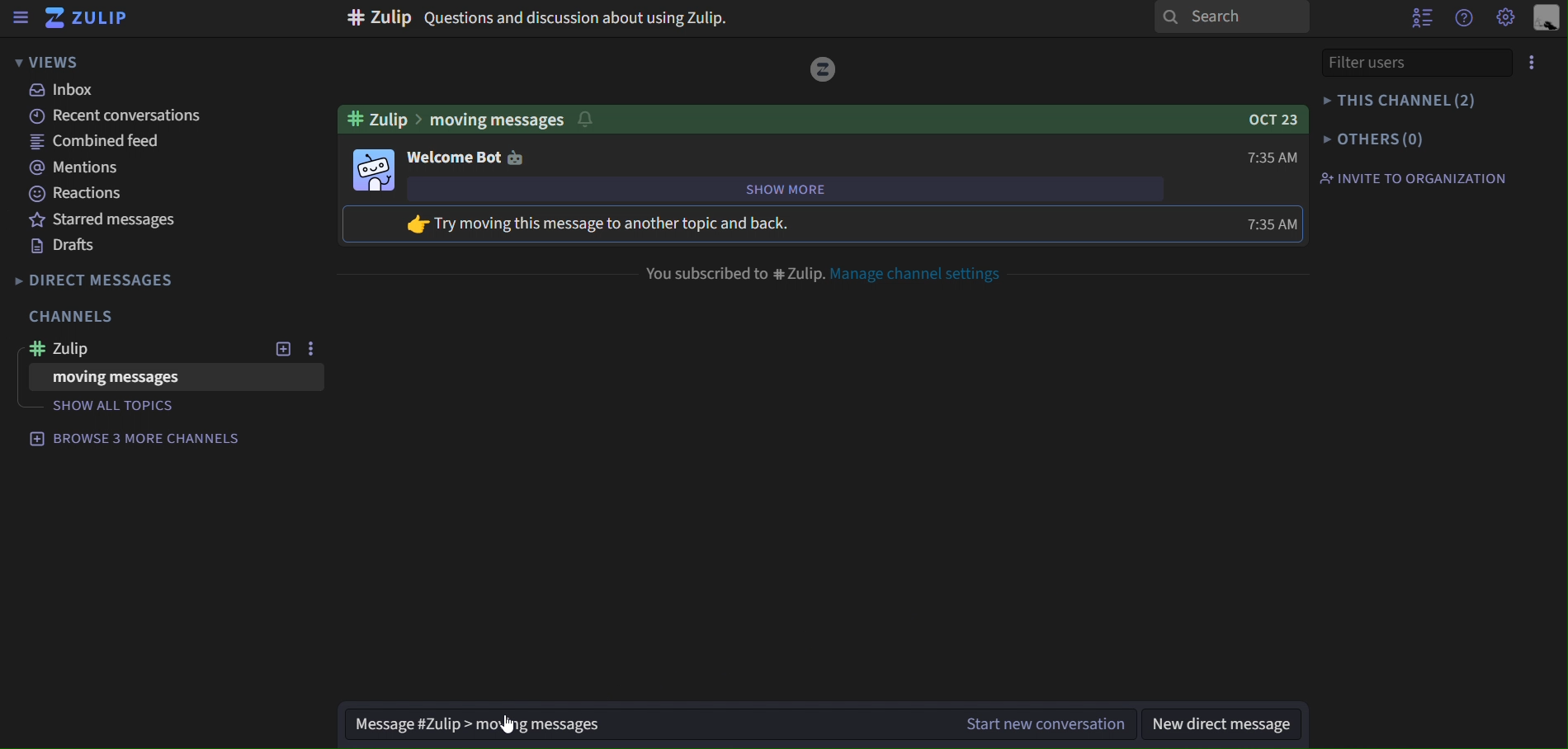 Image resolution: width=1568 pixels, height=749 pixels. Describe the element at coordinates (373, 168) in the screenshot. I see `bot image` at that location.